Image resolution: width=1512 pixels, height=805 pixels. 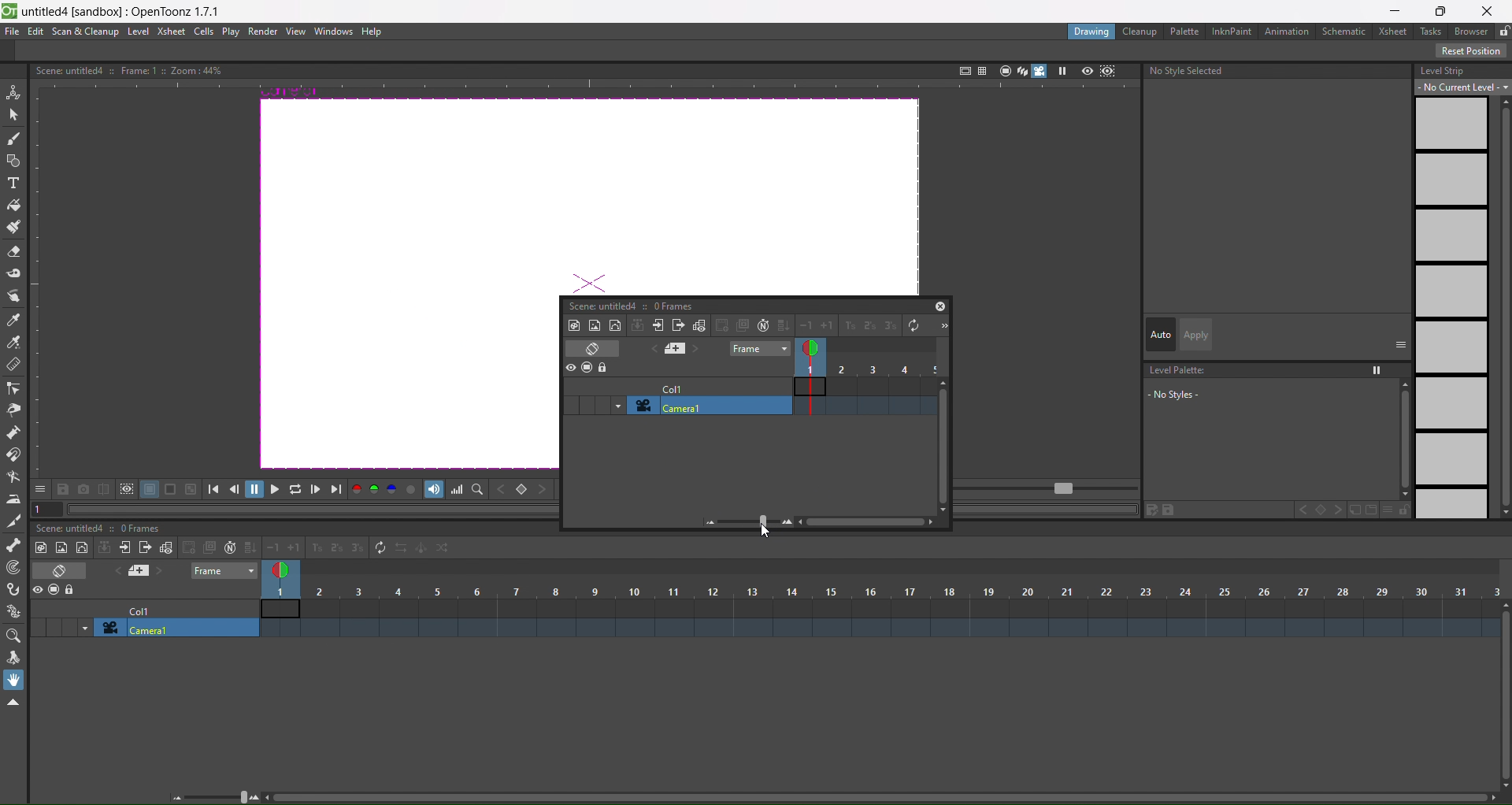 What do you see at coordinates (1433, 31) in the screenshot?
I see `tasks` at bounding box center [1433, 31].